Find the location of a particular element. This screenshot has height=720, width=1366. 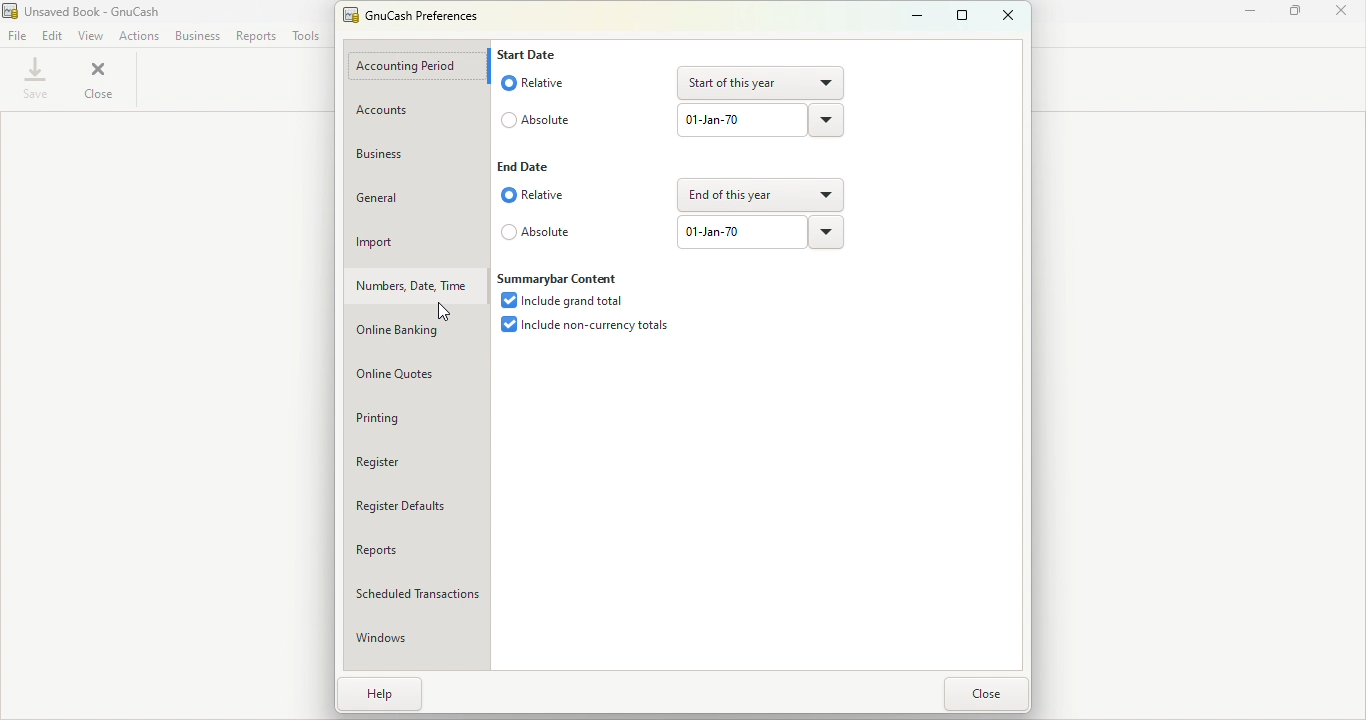

01-Jan-70 is located at coordinates (741, 233).